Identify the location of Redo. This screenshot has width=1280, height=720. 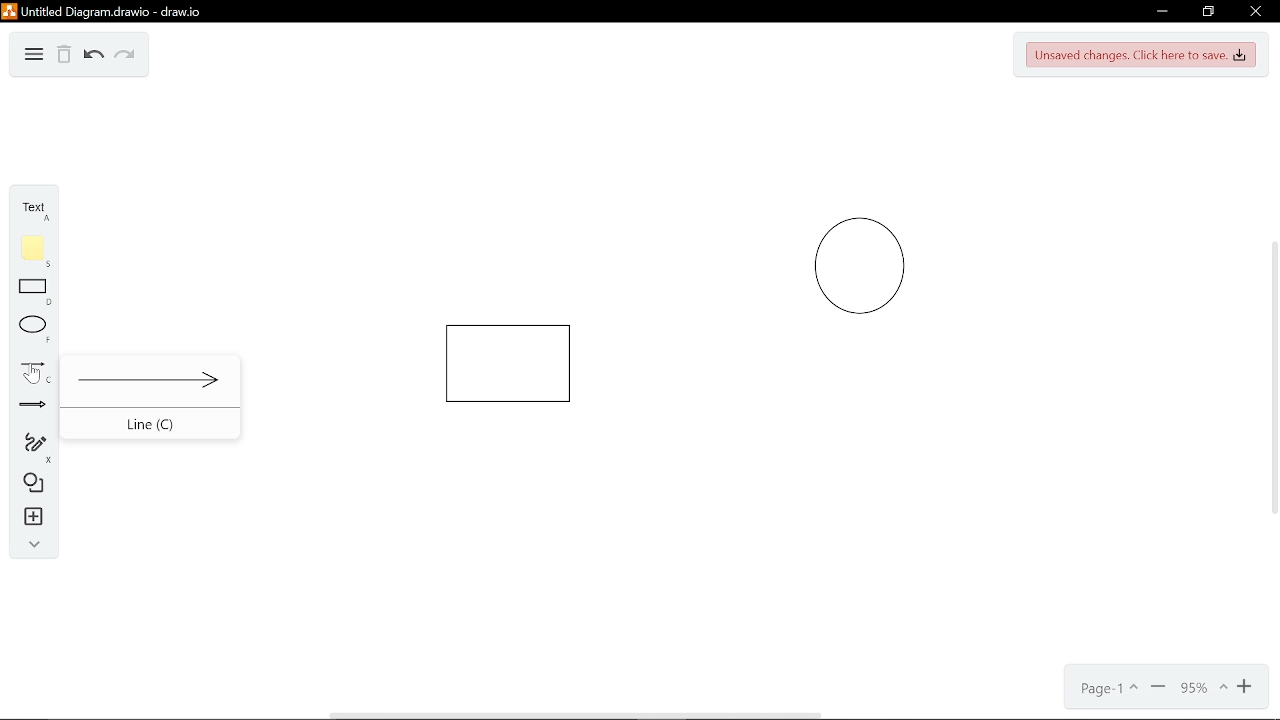
(126, 56).